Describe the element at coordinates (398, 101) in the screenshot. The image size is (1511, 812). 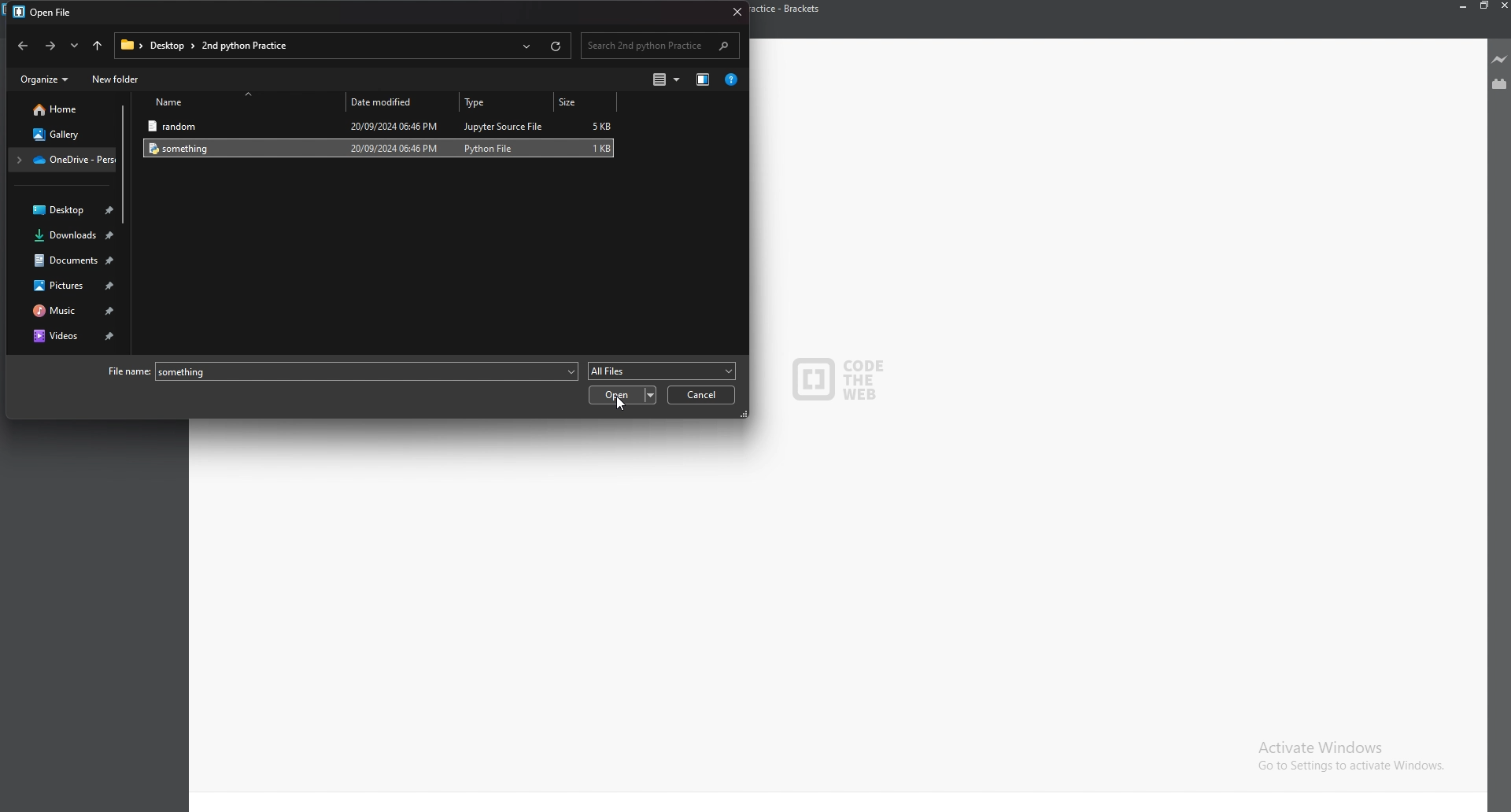
I see `date modified` at that location.